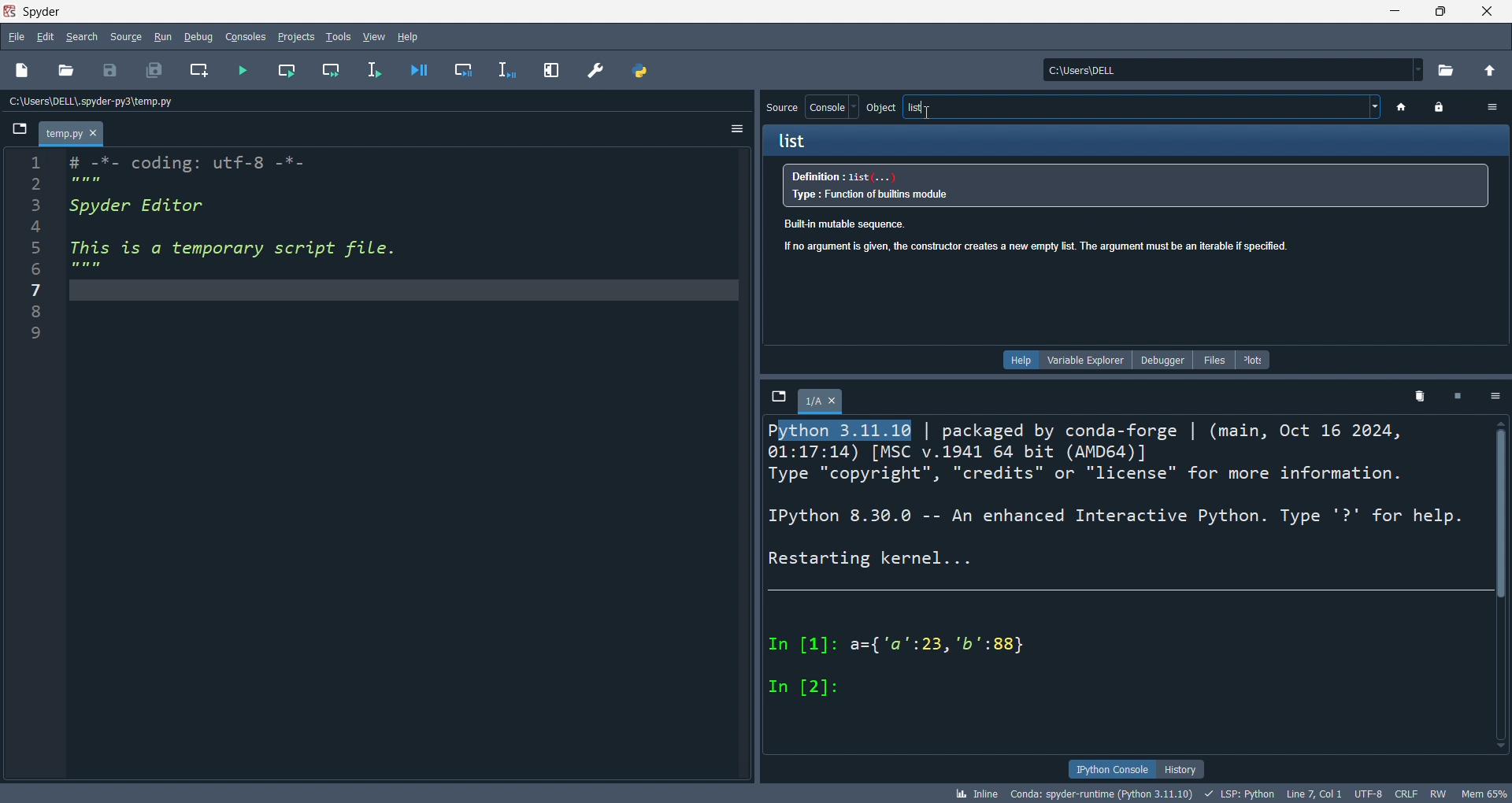 The height and width of the screenshot is (803, 1512). What do you see at coordinates (329, 71) in the screenshot?
I see `run cell and move` at bounding box center [329, 71].